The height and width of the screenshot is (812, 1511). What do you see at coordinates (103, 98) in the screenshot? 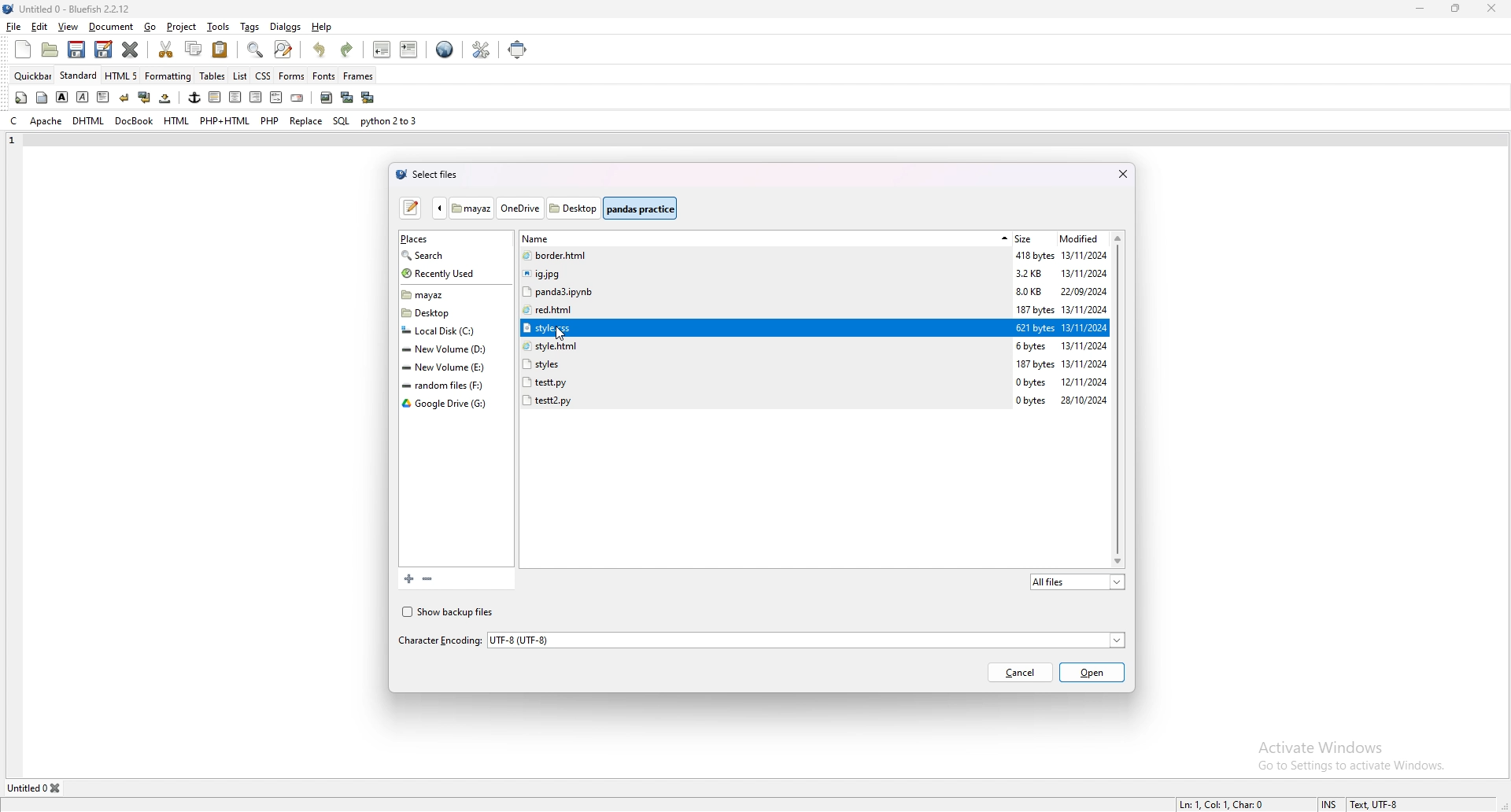
I see `paragraph` at bounding box center [103, 98].